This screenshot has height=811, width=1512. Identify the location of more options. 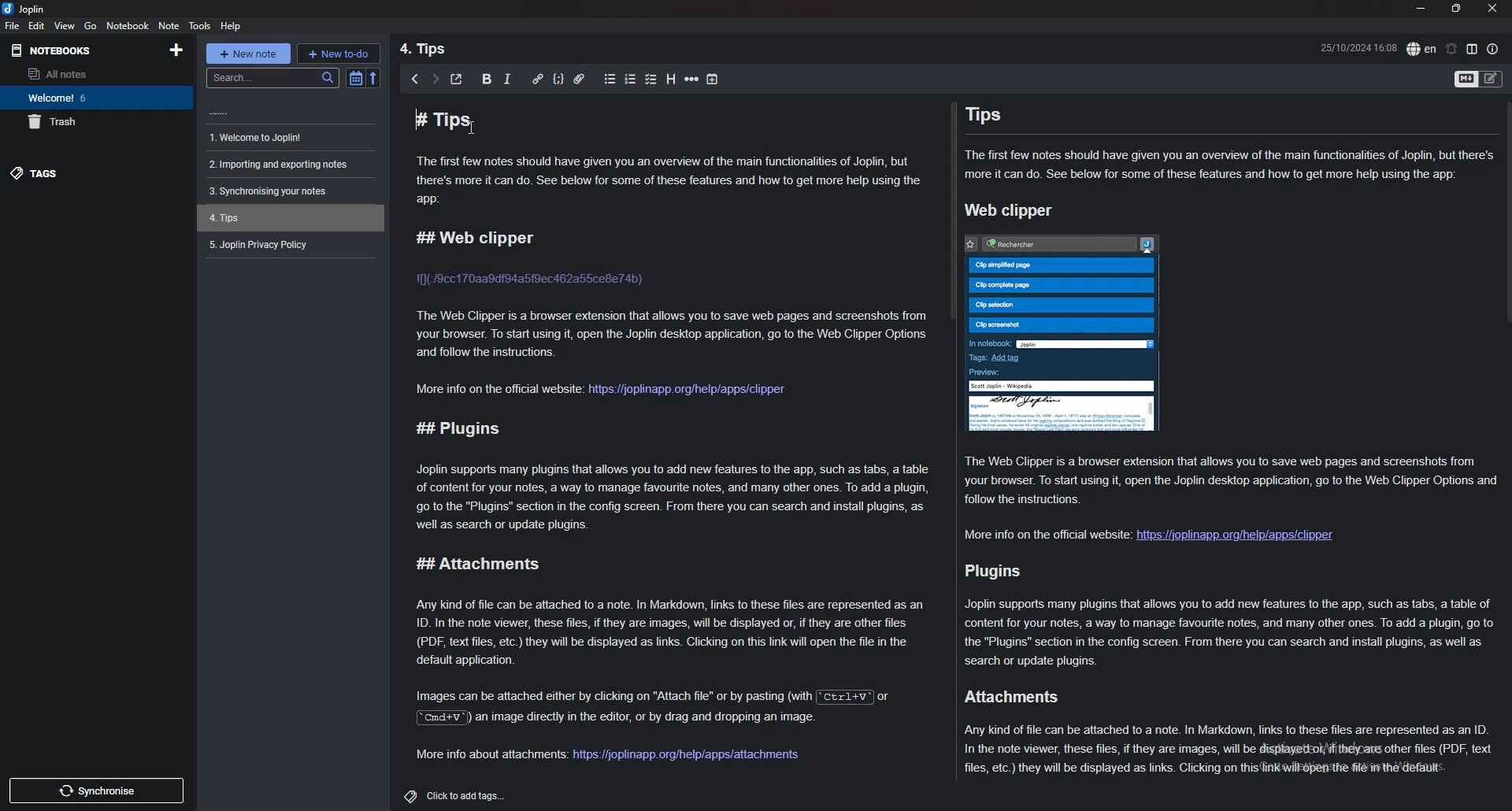
(692, 79).